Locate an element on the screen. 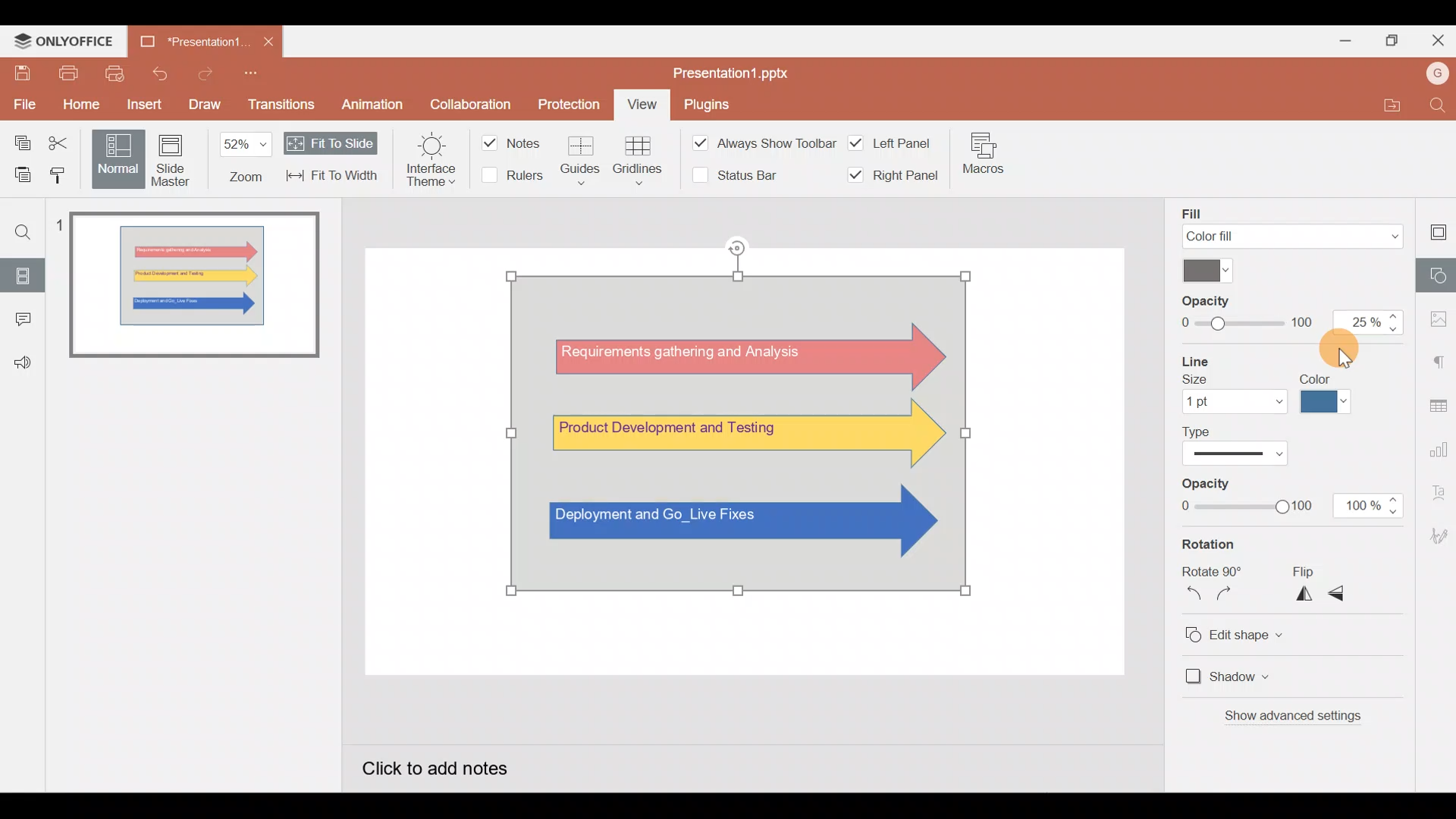 Image resolution: width=1456 pixels, height=819 pixels. Image settings is located at coordinates (1436, 315).